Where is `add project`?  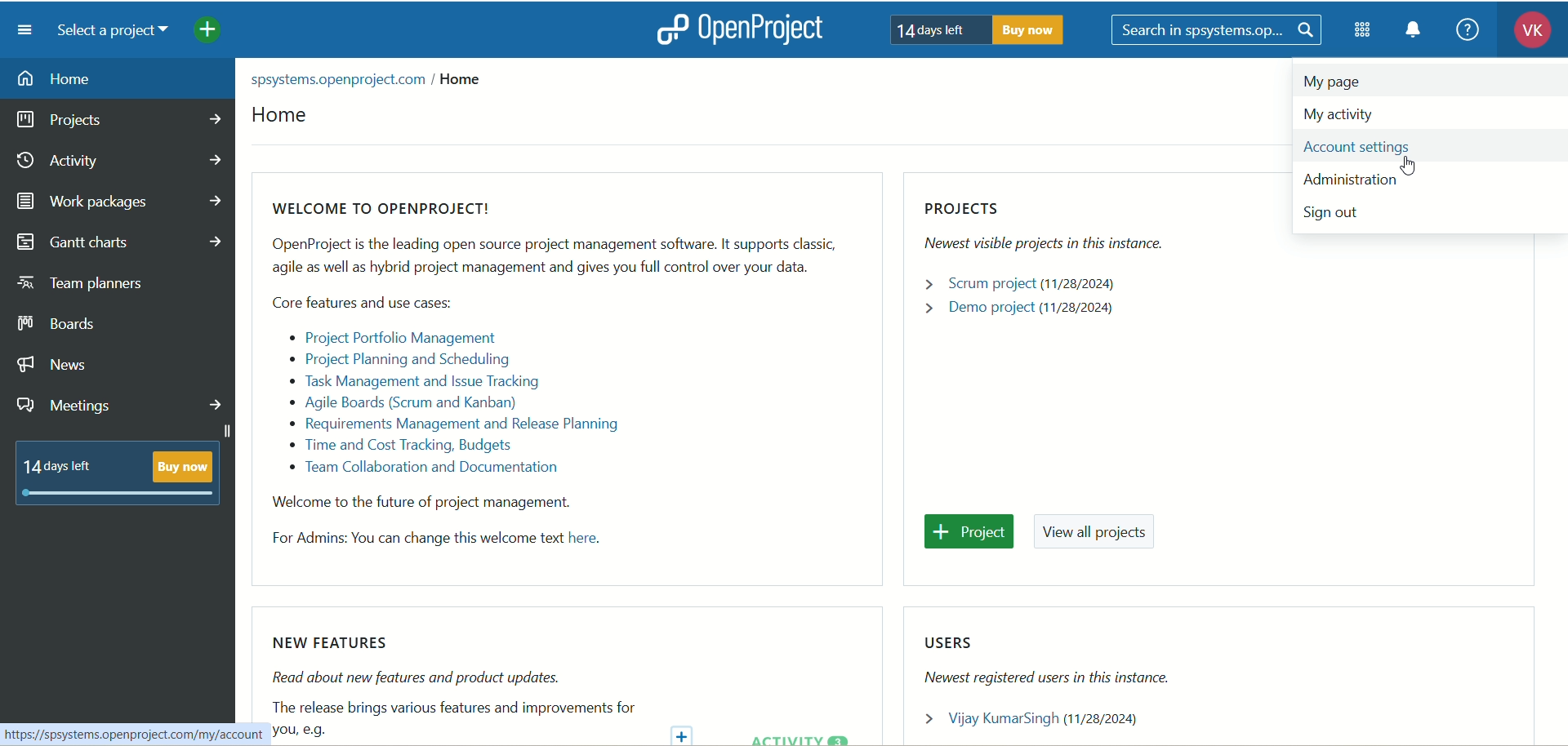 add project is located at coordinates (219, 33).